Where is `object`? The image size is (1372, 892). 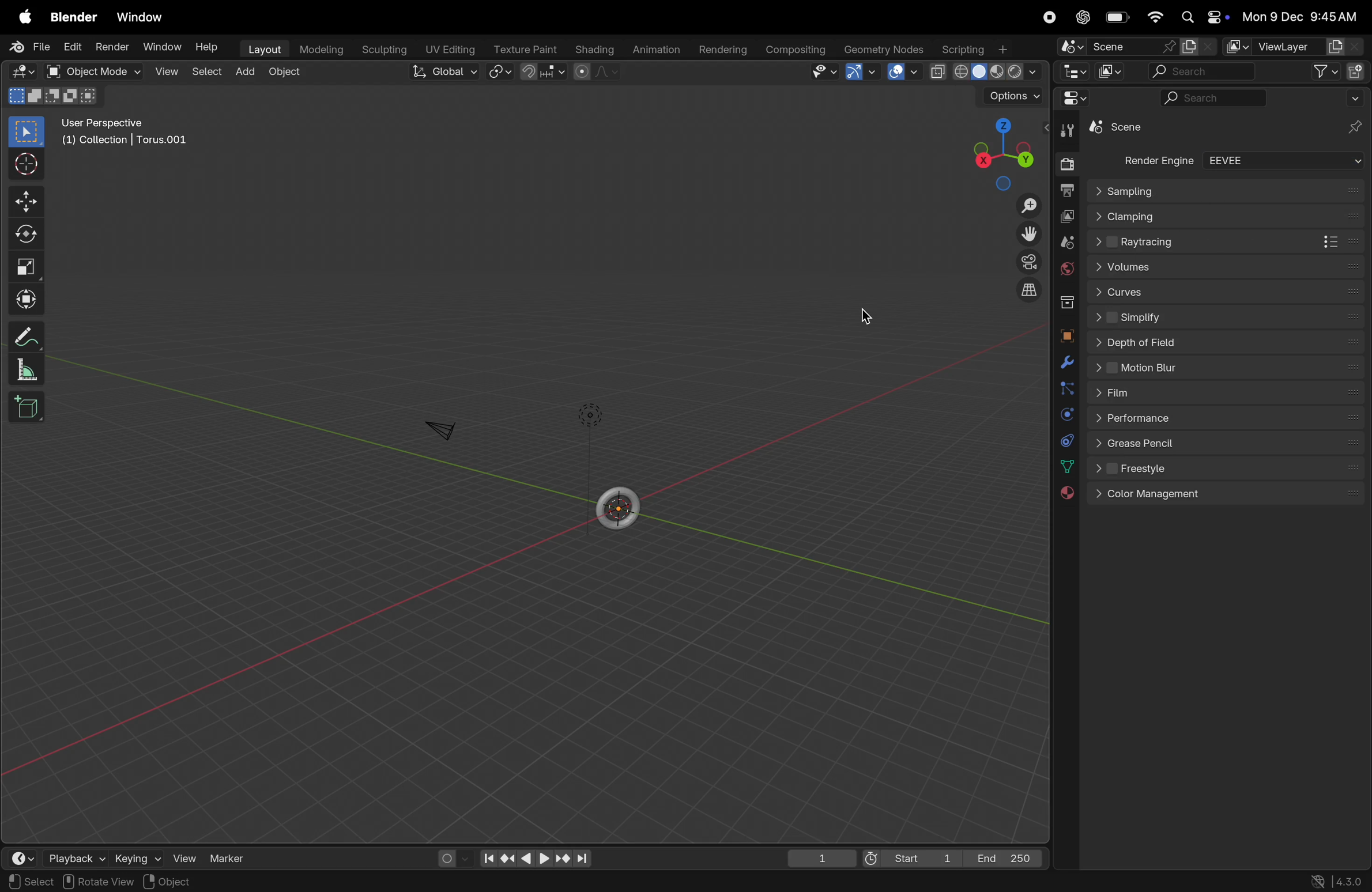
object is located at coordinates (1065, 335).